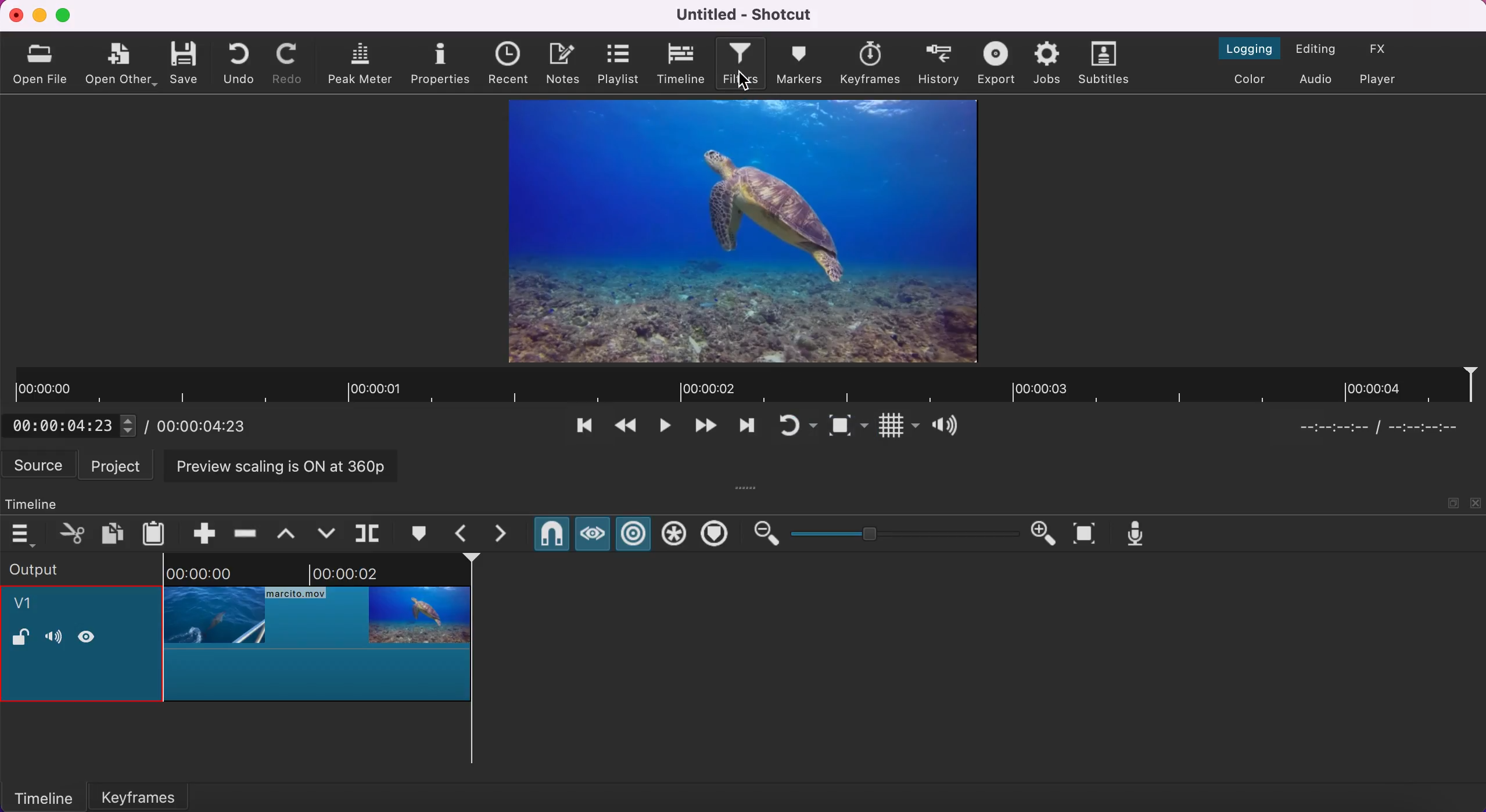  What do you see at coordinates (26, 534) in the screenshot?
I see `timeline menu` at bounding box center [26, 534].